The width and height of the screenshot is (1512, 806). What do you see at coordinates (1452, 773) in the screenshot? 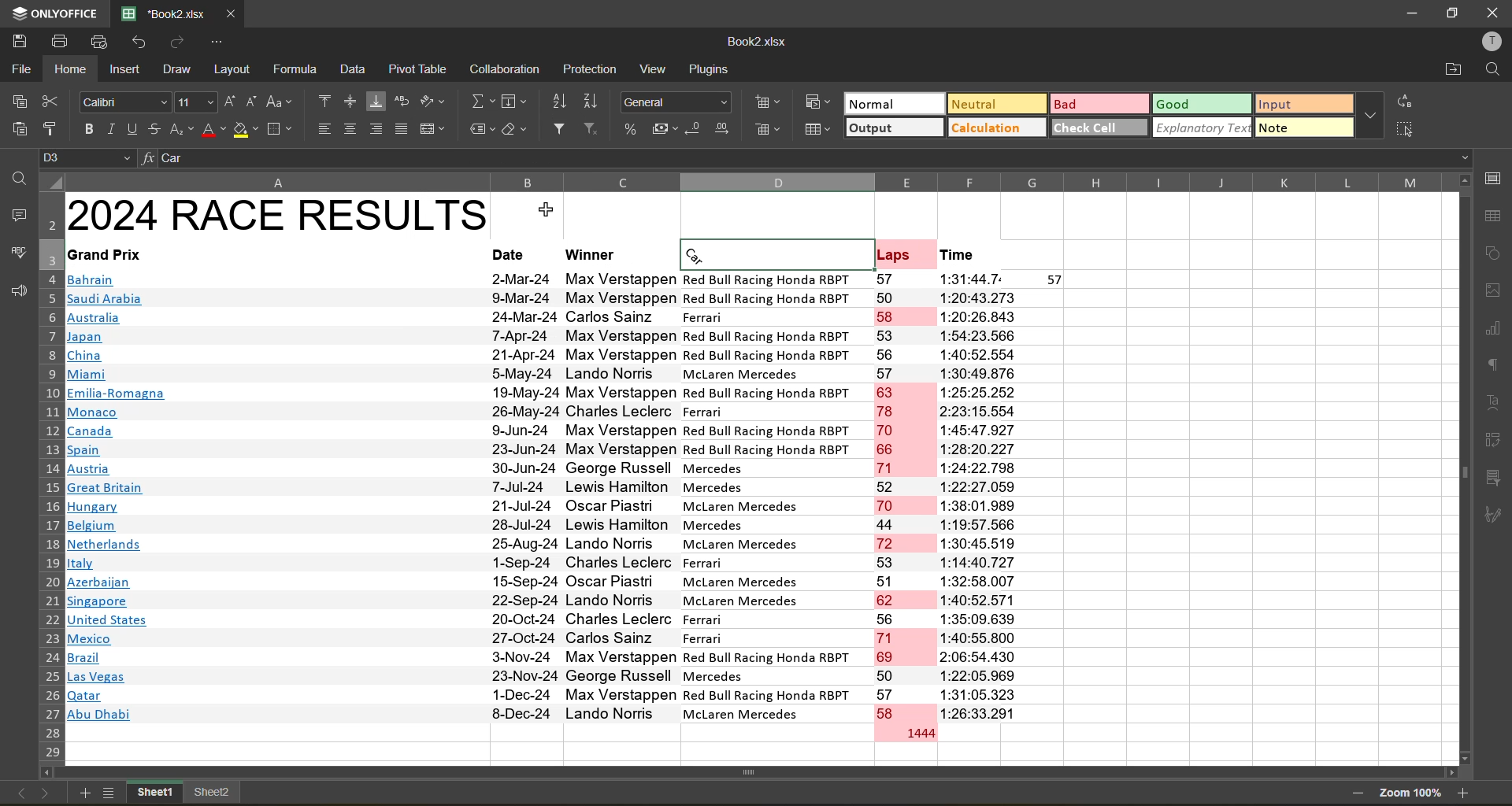
I see `Scroll right` at bounding box center [1452, 773].